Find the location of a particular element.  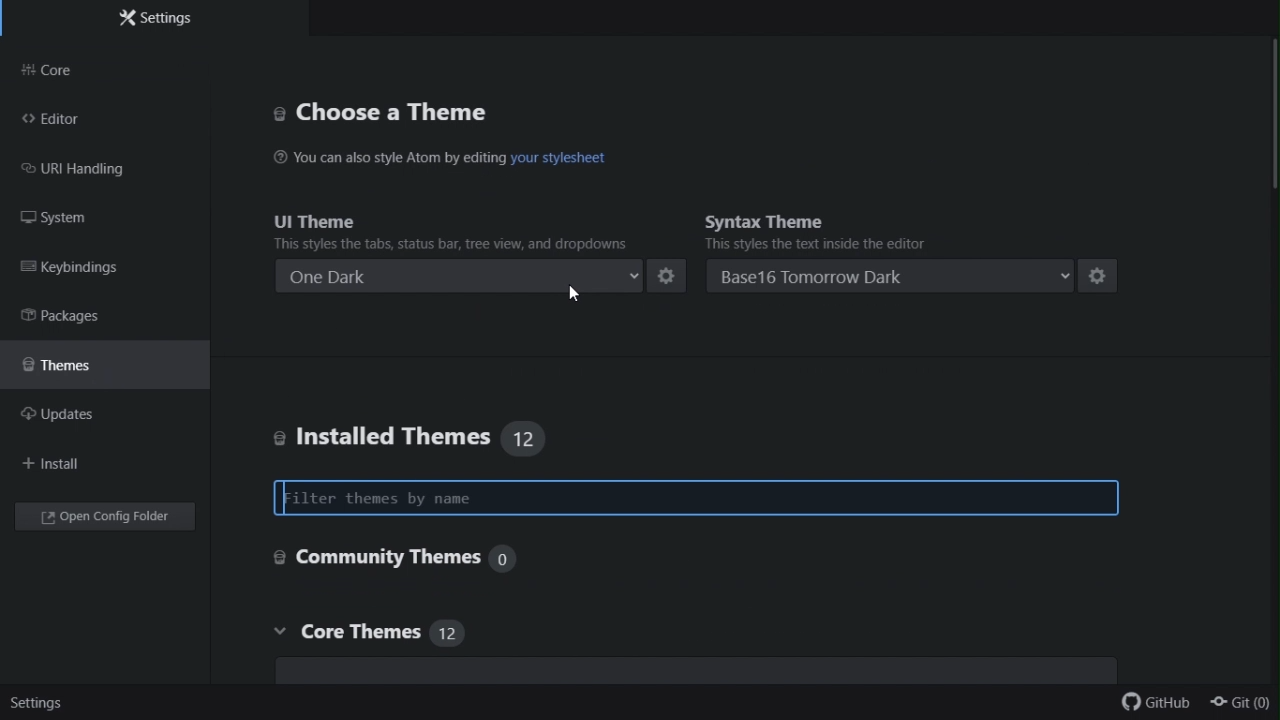

12 is located at coordinates (525, 437).